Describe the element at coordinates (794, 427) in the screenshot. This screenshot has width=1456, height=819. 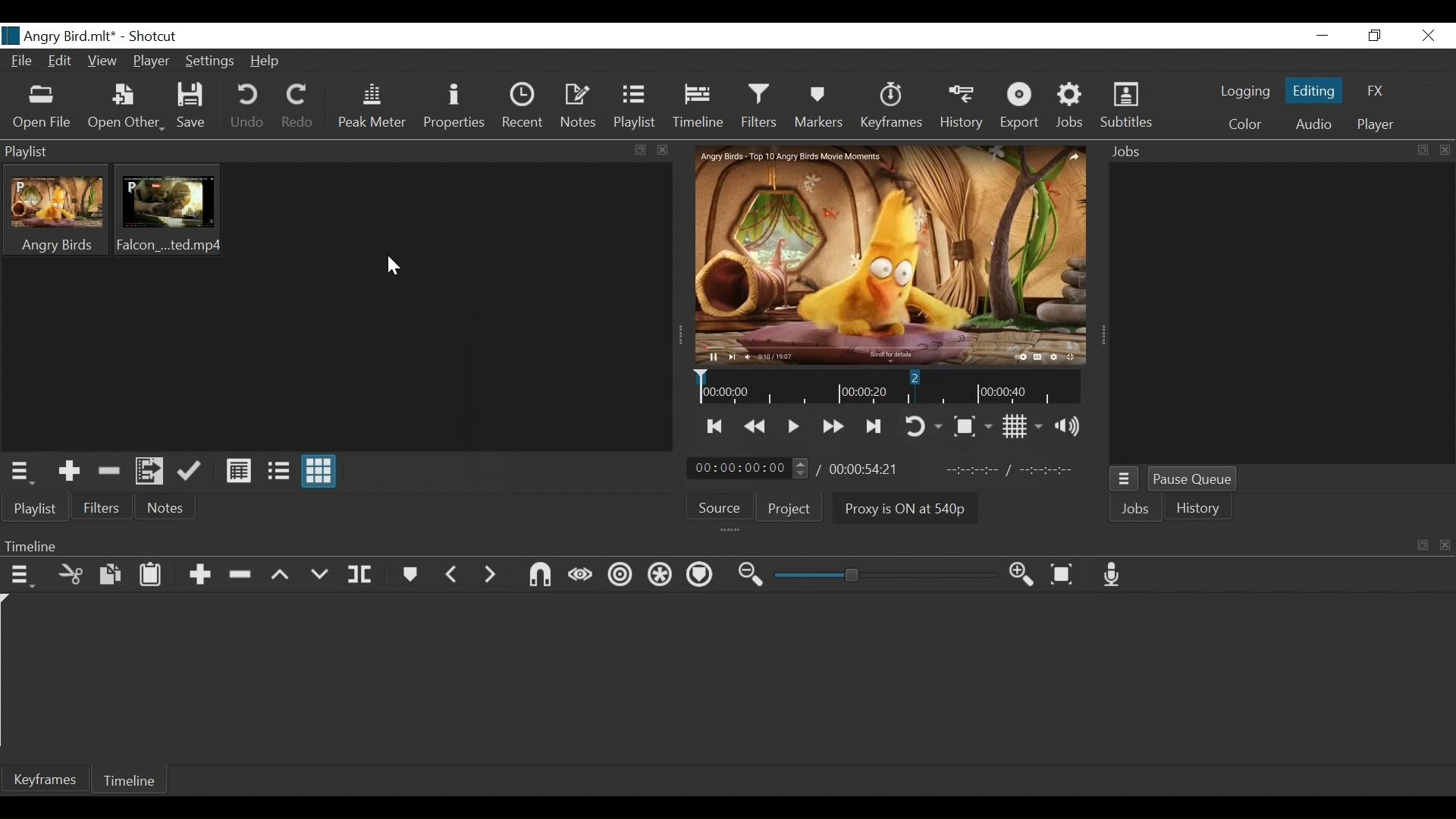
I see `Toggle play or pause (space)` at that location.